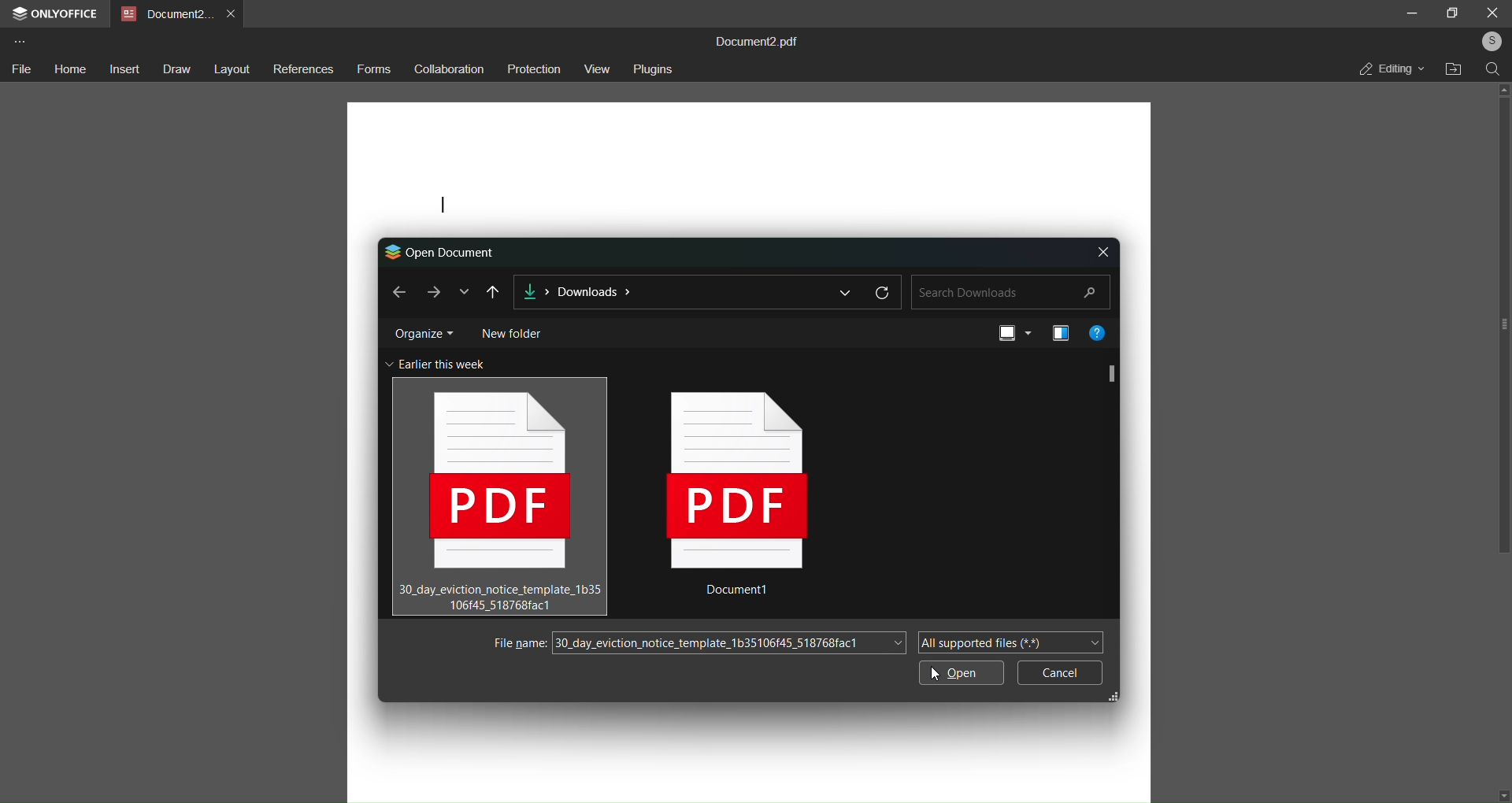  I want to click on scroll bar, so click(1111, 372).